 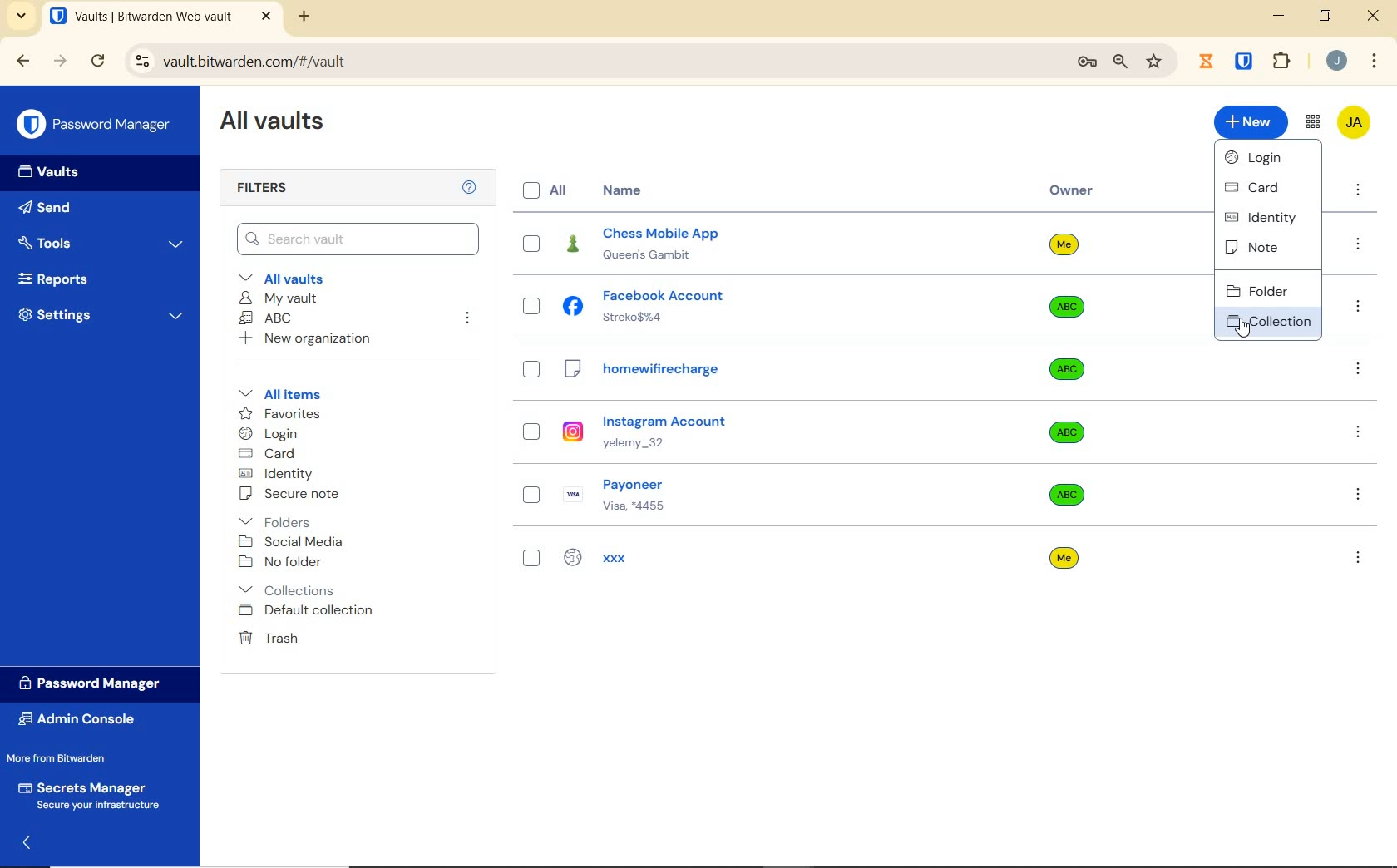 What do you see at coordinates (285, 563) in the screenshot?
I see `No folder` at bounding box center [285, 563].